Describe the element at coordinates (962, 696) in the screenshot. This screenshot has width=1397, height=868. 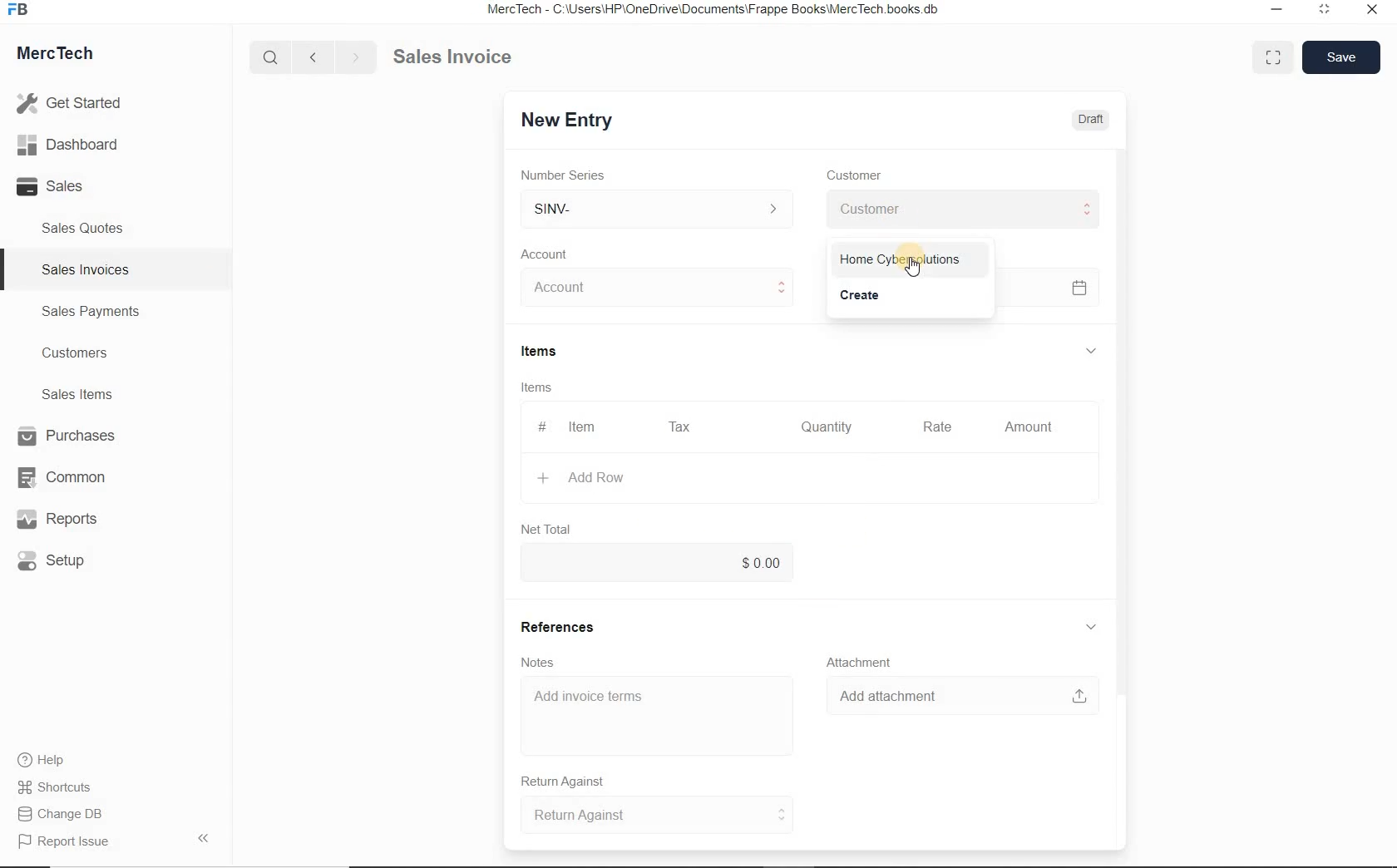
I see `Add attachment` at that location.